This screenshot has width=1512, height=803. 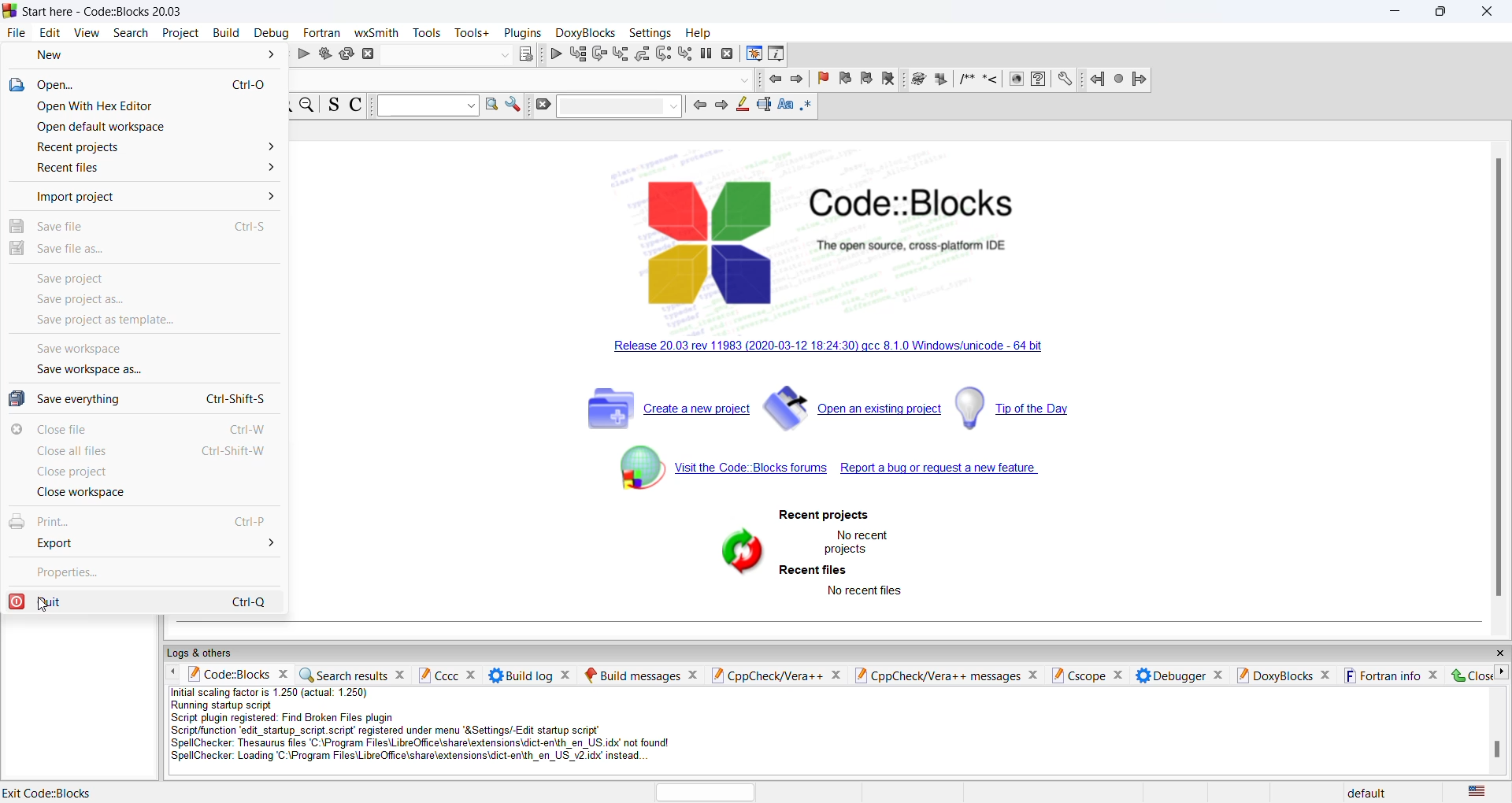 I want to click on abort , so click(x=369, y=55).